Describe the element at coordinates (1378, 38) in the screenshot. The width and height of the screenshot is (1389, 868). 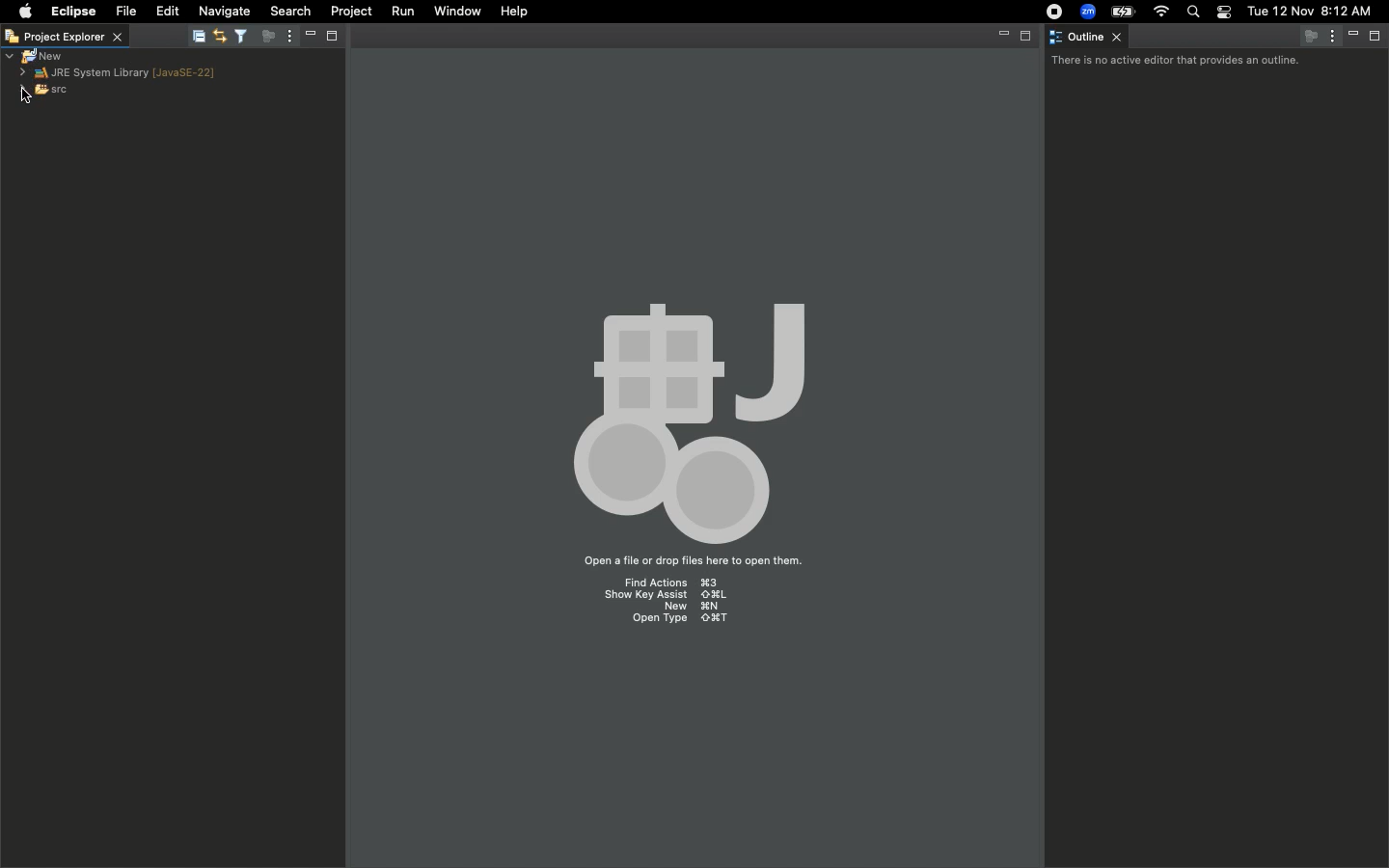
I see `Maximize` at that location.